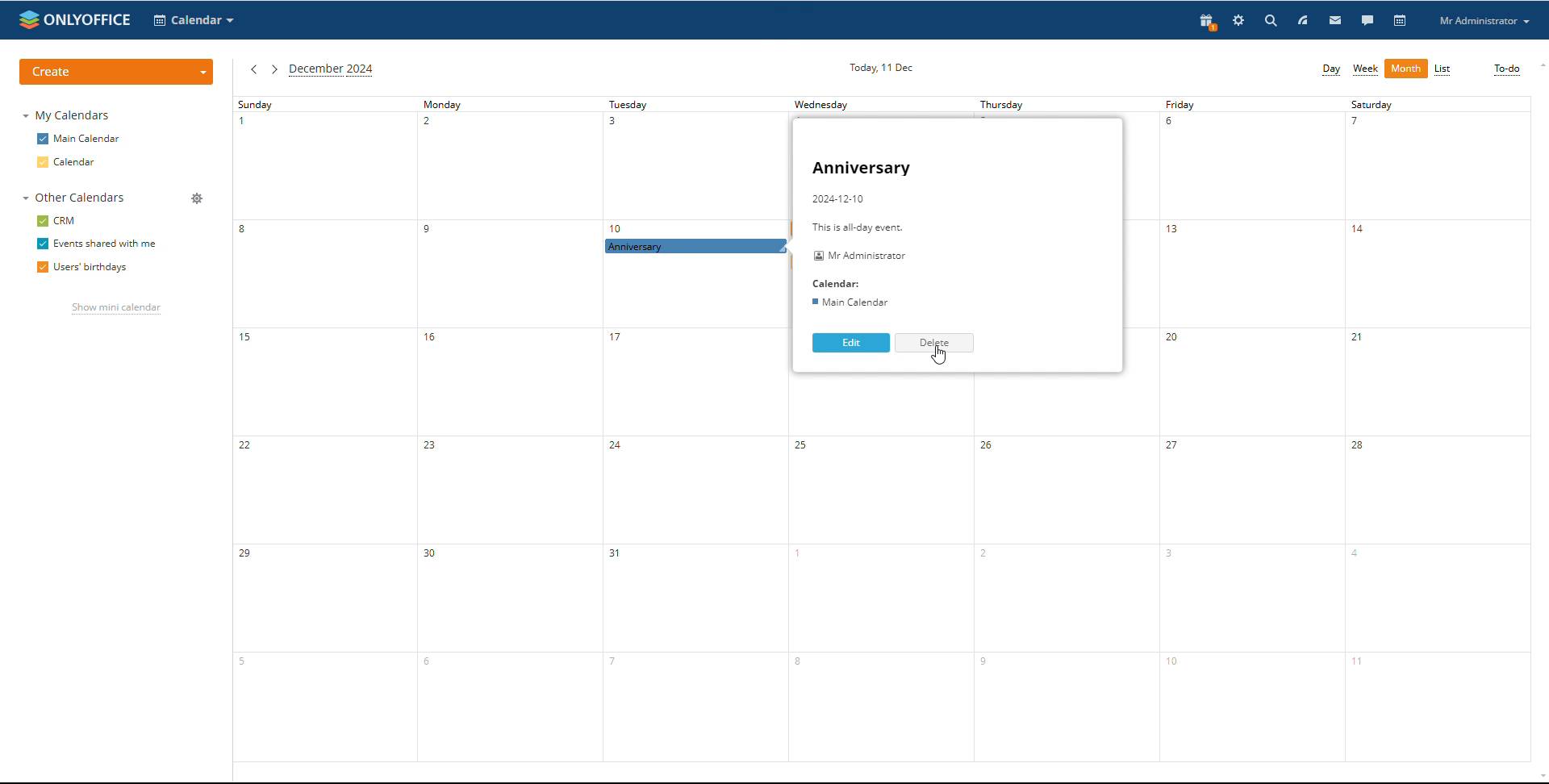  Describe the element at coordinates (833, 105) in the screenshot. I see `wednesday` at that location.